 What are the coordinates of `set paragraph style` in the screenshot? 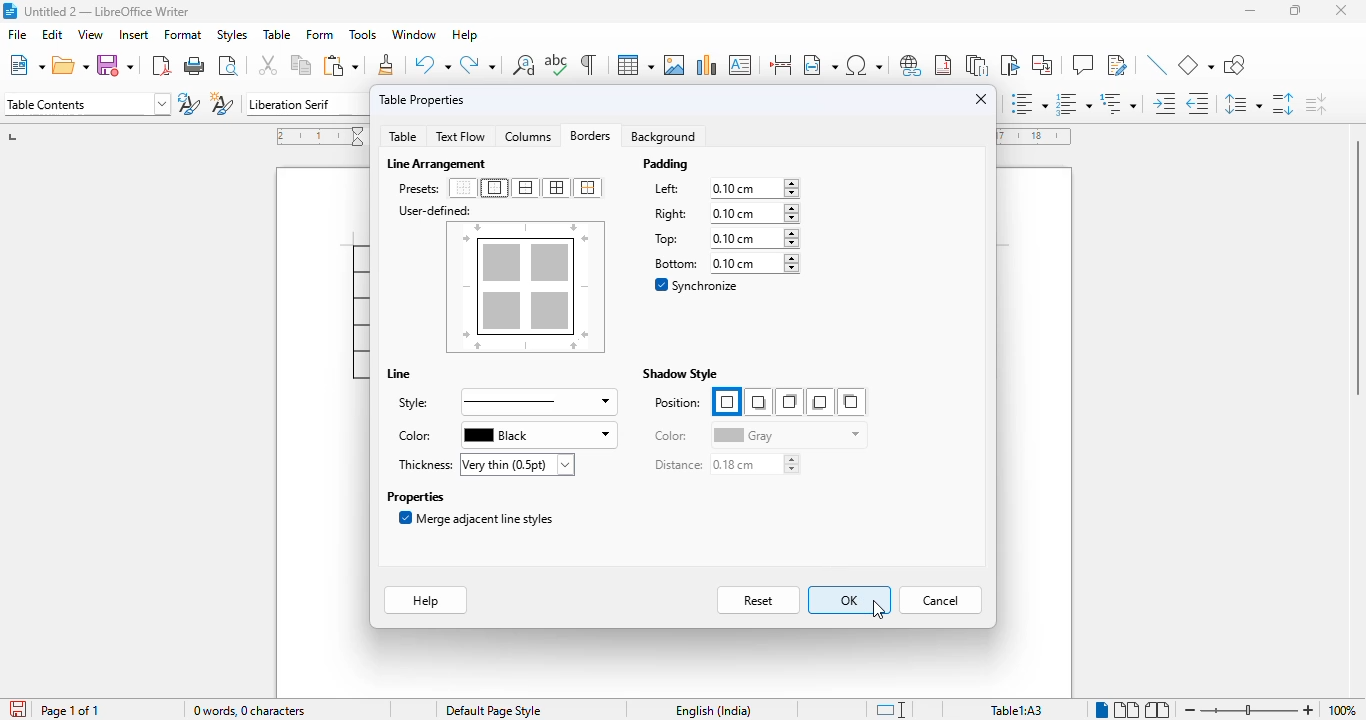 It's located at (87, 104).